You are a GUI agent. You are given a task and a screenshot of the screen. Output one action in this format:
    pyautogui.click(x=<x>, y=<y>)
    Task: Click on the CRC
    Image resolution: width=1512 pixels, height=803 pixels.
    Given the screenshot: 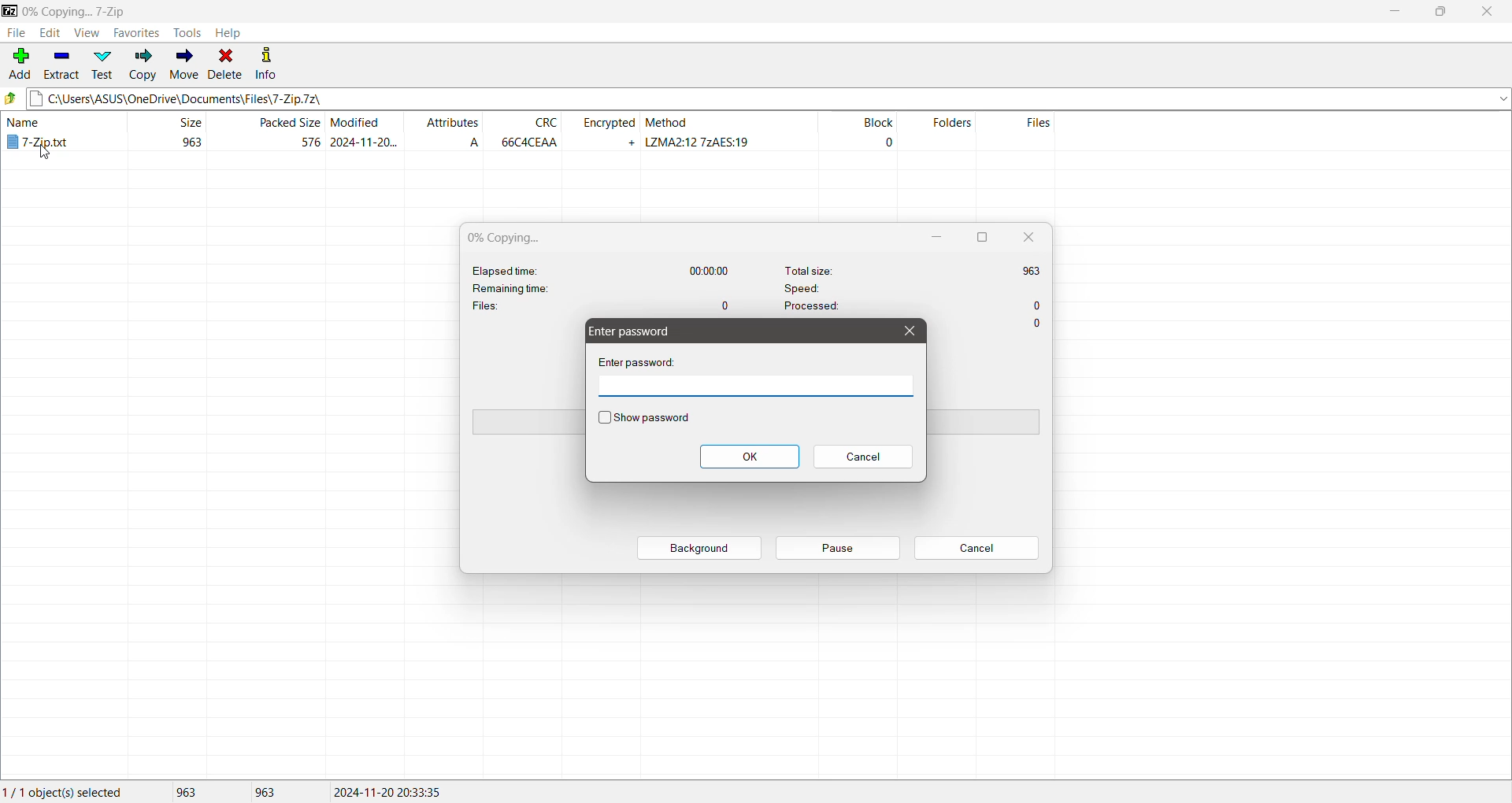 What is the action you would take?
    pyautogui.click(x=528, y=132)
    